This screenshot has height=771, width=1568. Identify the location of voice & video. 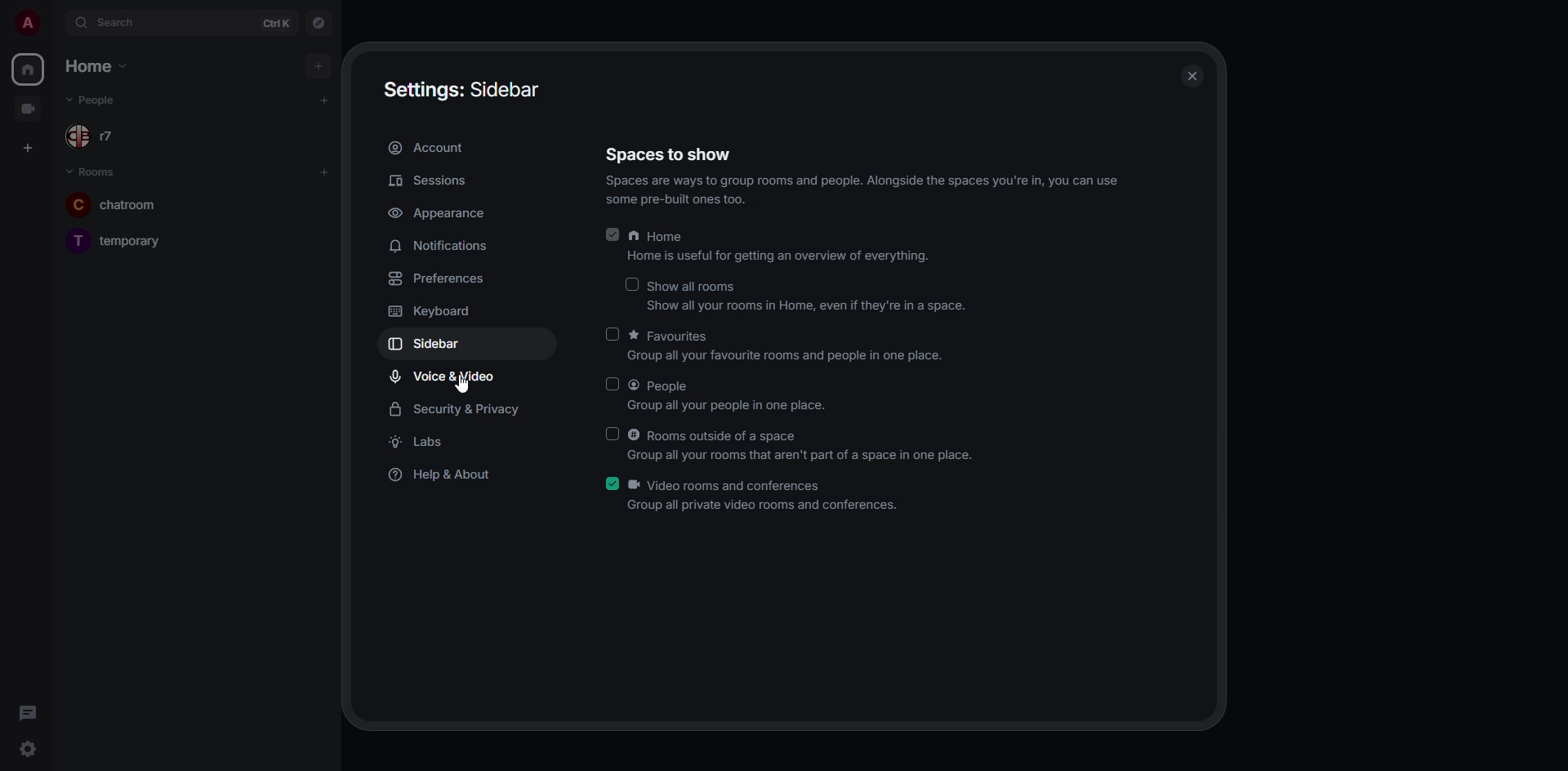
(443, 377).